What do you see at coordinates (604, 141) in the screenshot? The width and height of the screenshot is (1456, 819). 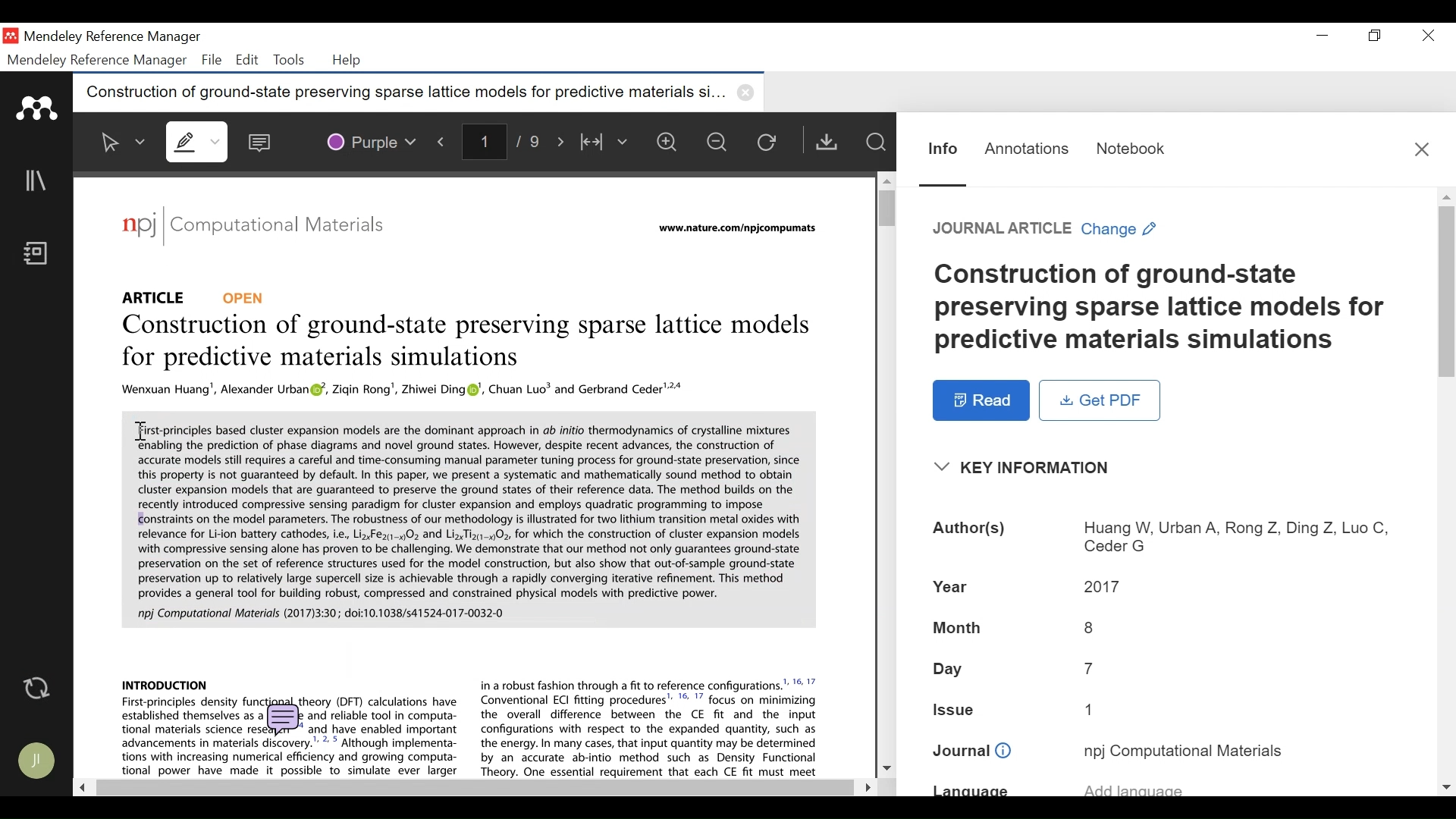 I see `Fit to Width` at bounding box center [604, 141].